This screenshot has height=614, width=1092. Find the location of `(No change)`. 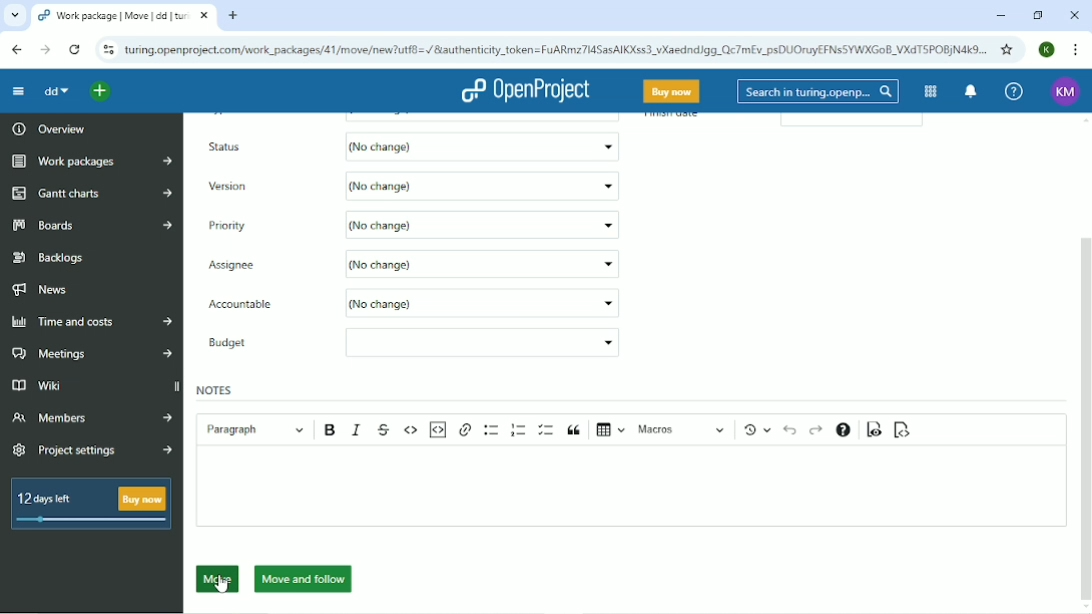

(No change) is located at coordinates (483, 146).